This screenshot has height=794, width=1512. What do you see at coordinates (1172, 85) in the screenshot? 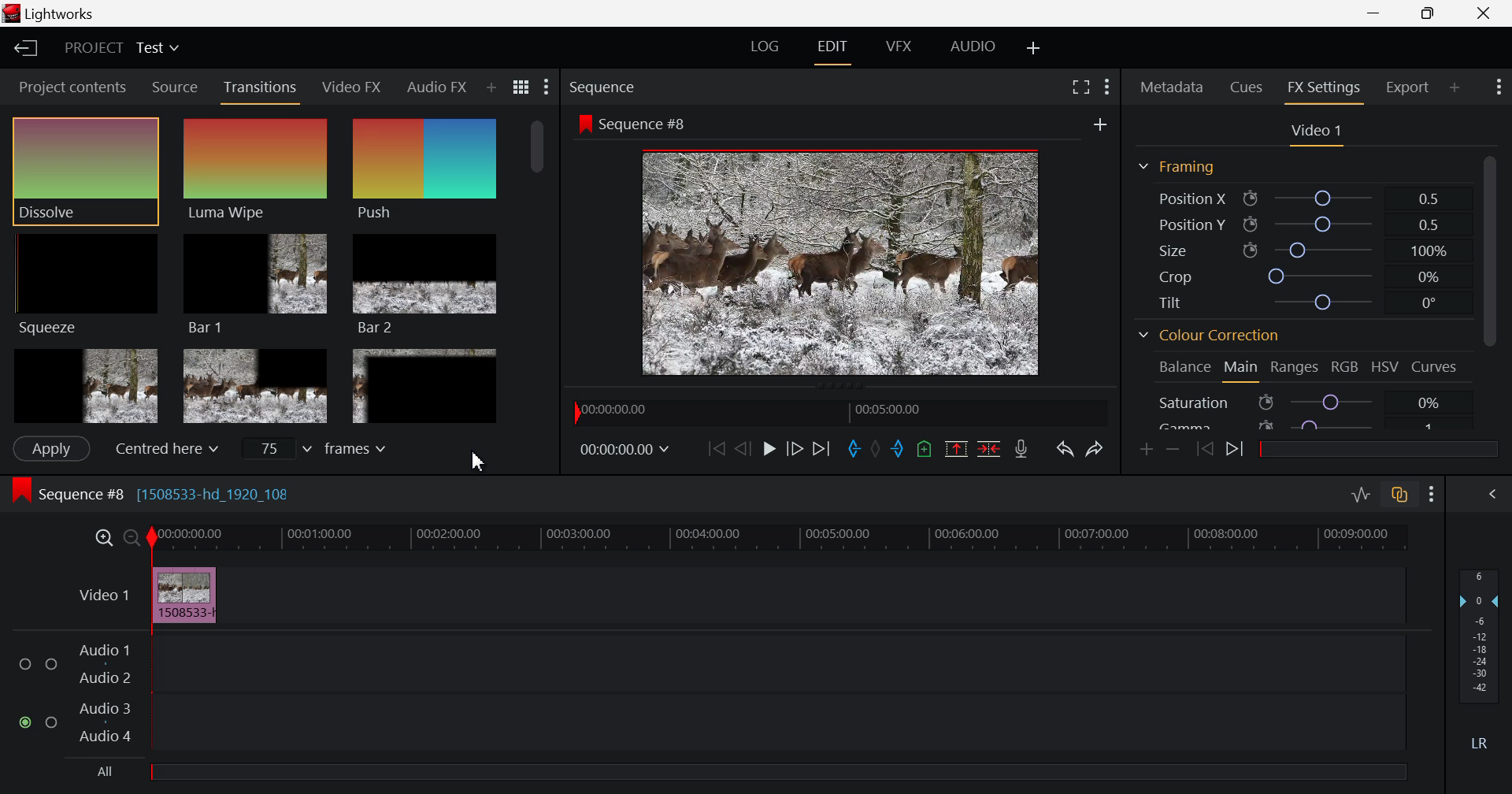
I see `Metadata` at bounding box center [1172, 85].